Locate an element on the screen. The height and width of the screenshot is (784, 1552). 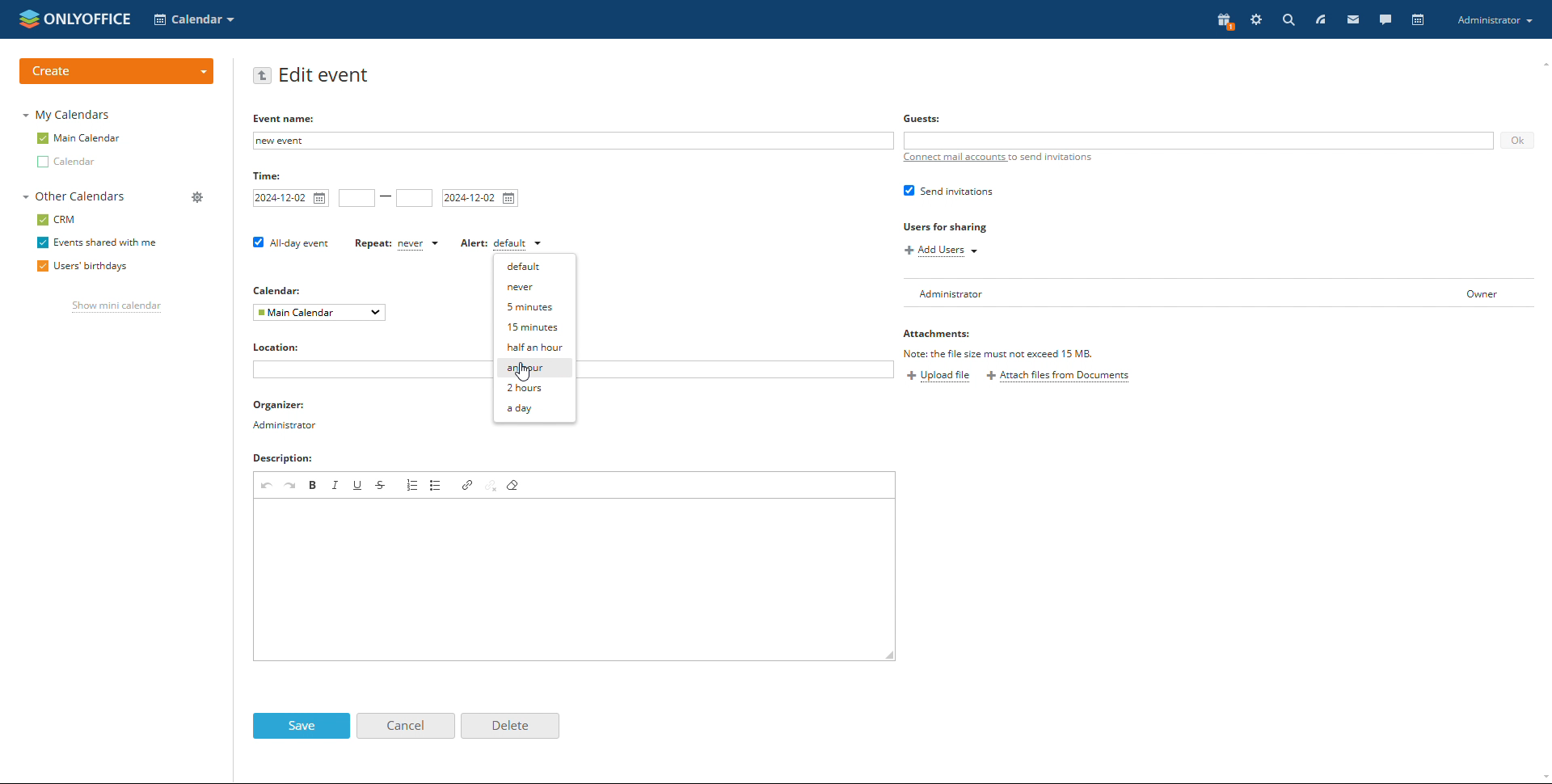
account is located at coordinates (1494, 20).